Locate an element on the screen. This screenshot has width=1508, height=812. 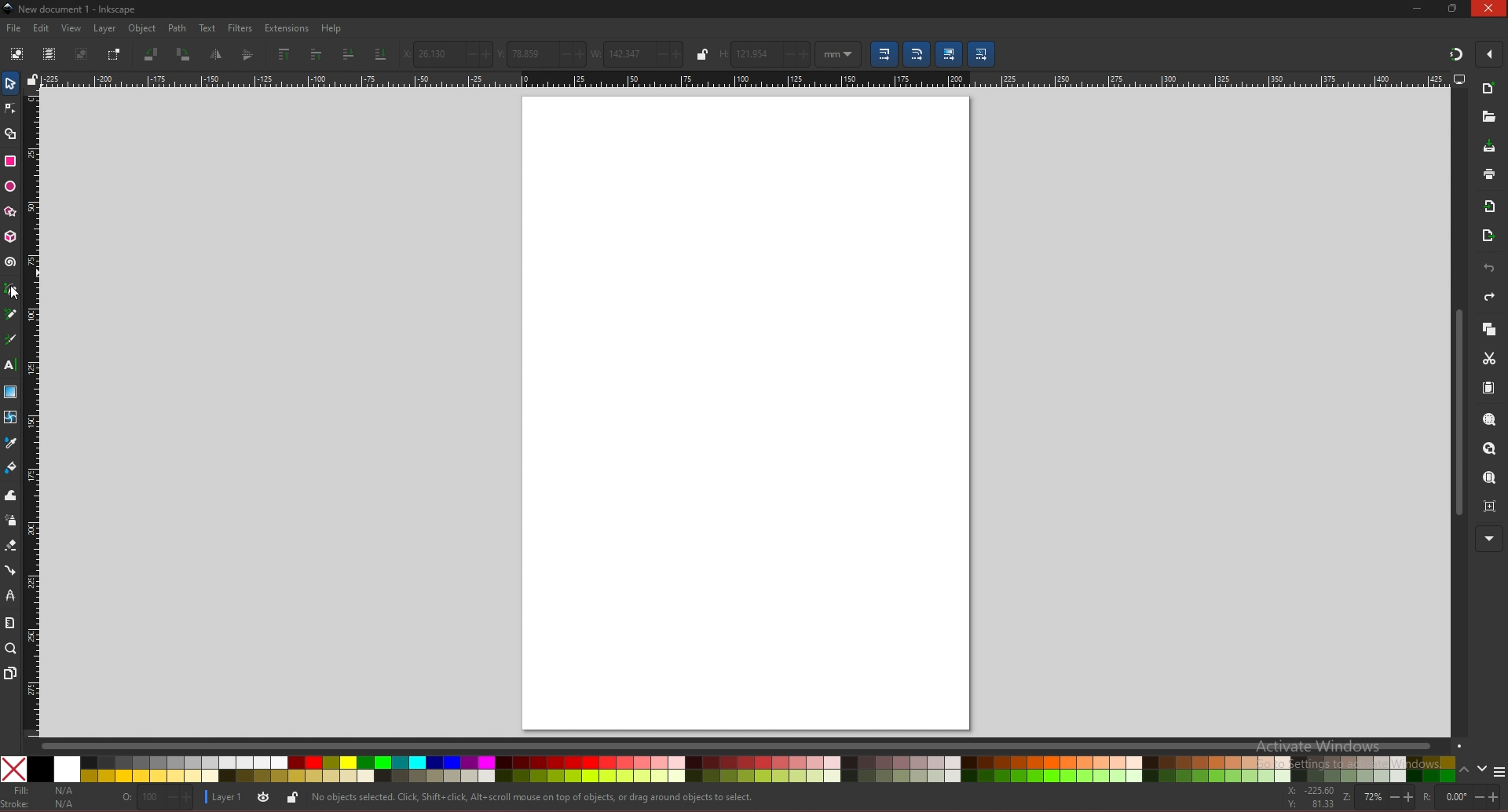
new is located at coordinates (1488, 117).